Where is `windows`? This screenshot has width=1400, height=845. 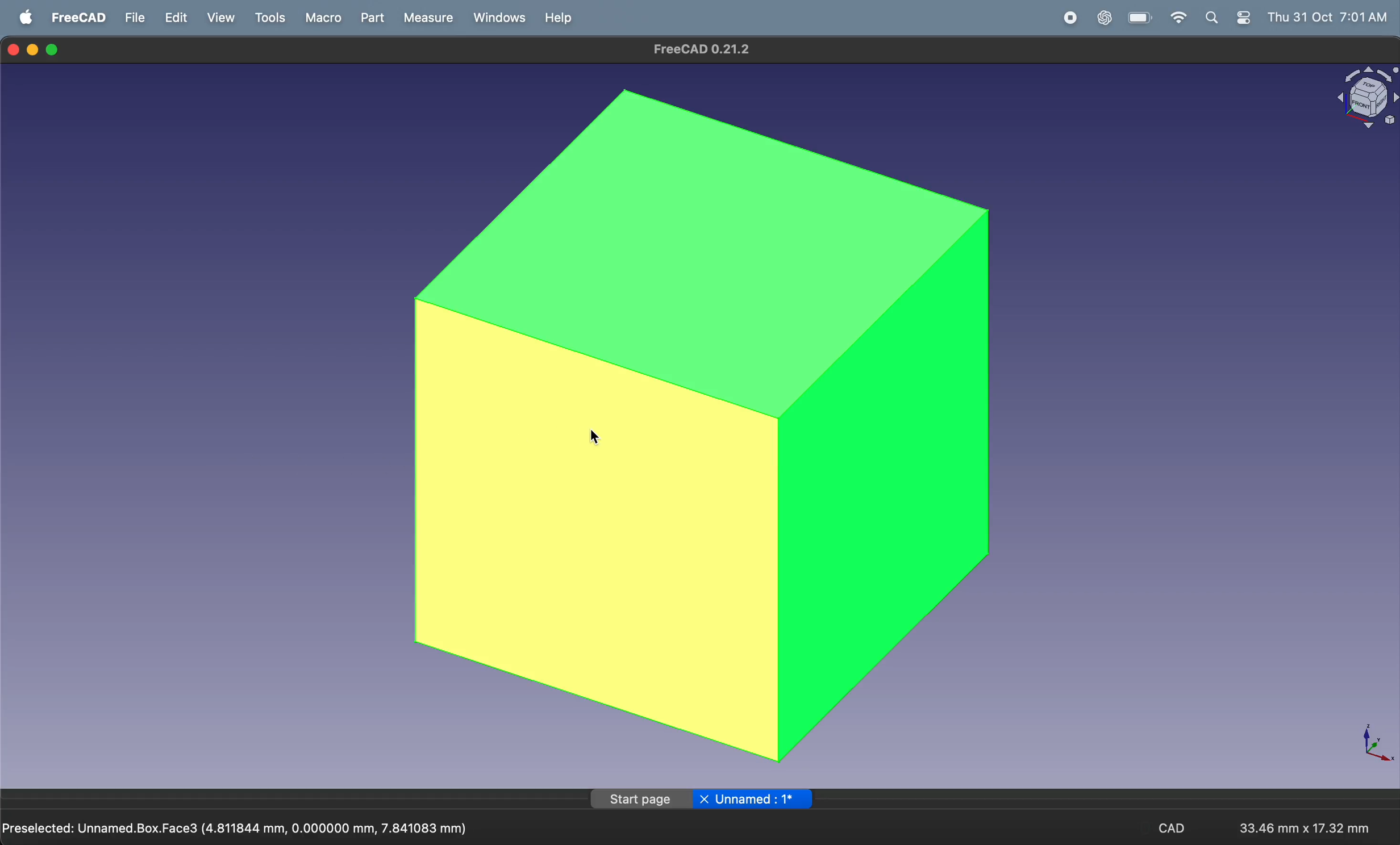 windows is located at coordinates (498, 18).